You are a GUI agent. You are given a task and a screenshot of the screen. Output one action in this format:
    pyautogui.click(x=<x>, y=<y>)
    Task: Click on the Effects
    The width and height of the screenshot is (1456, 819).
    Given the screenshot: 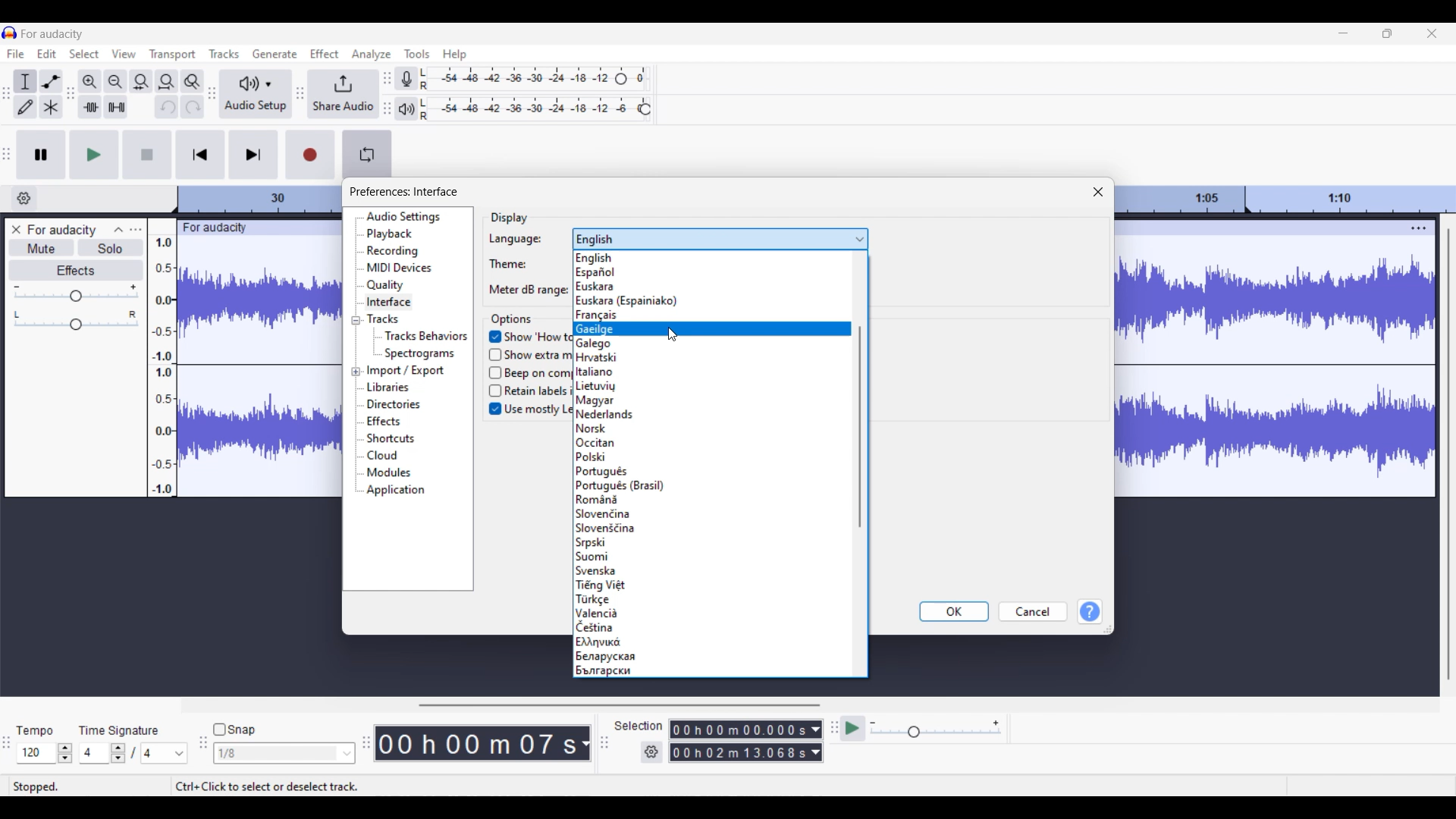 What is the action you would take?
    pyautogui.click(x=77, y=271)
    